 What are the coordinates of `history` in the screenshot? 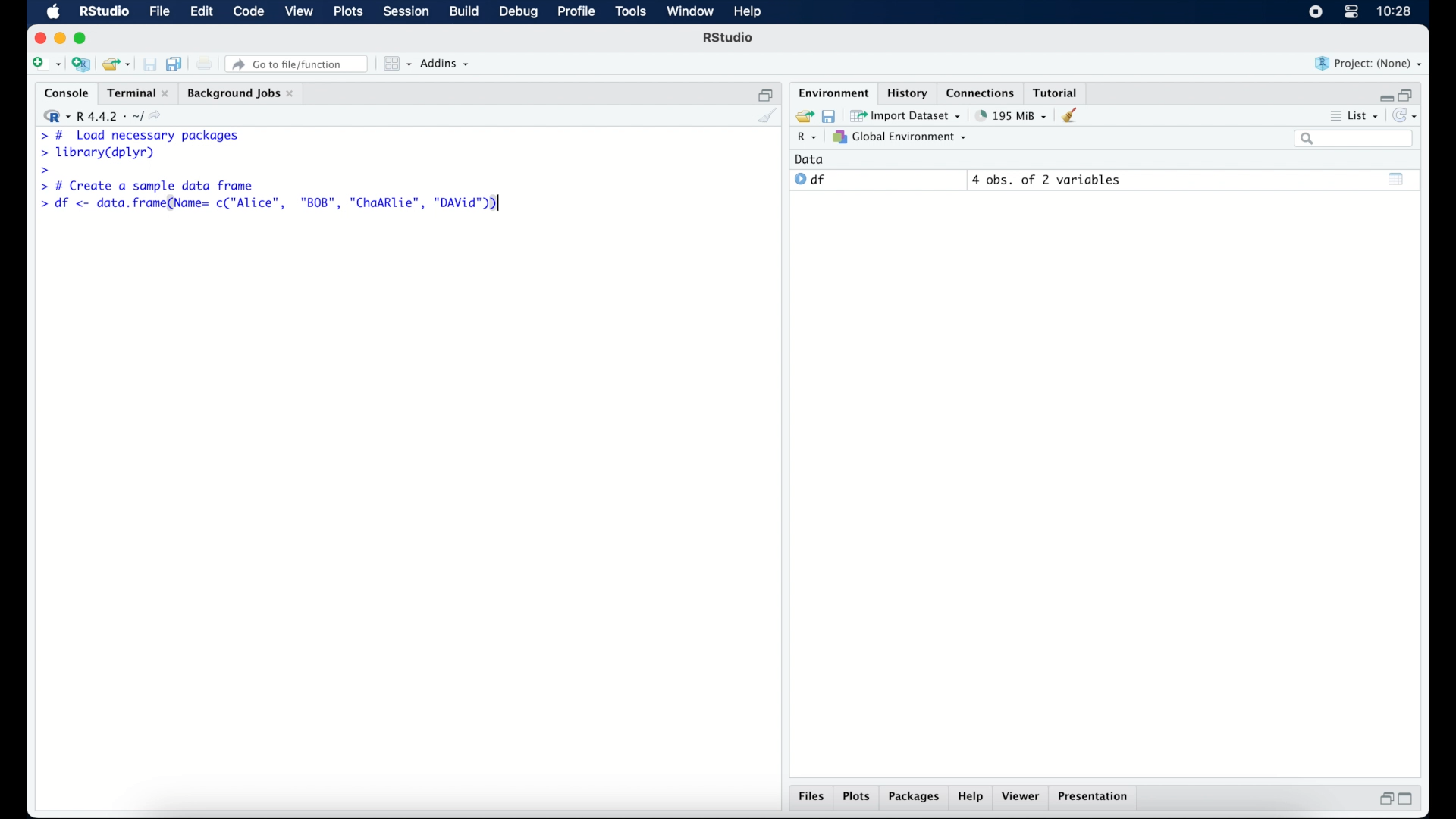 It's located at (906, 92).